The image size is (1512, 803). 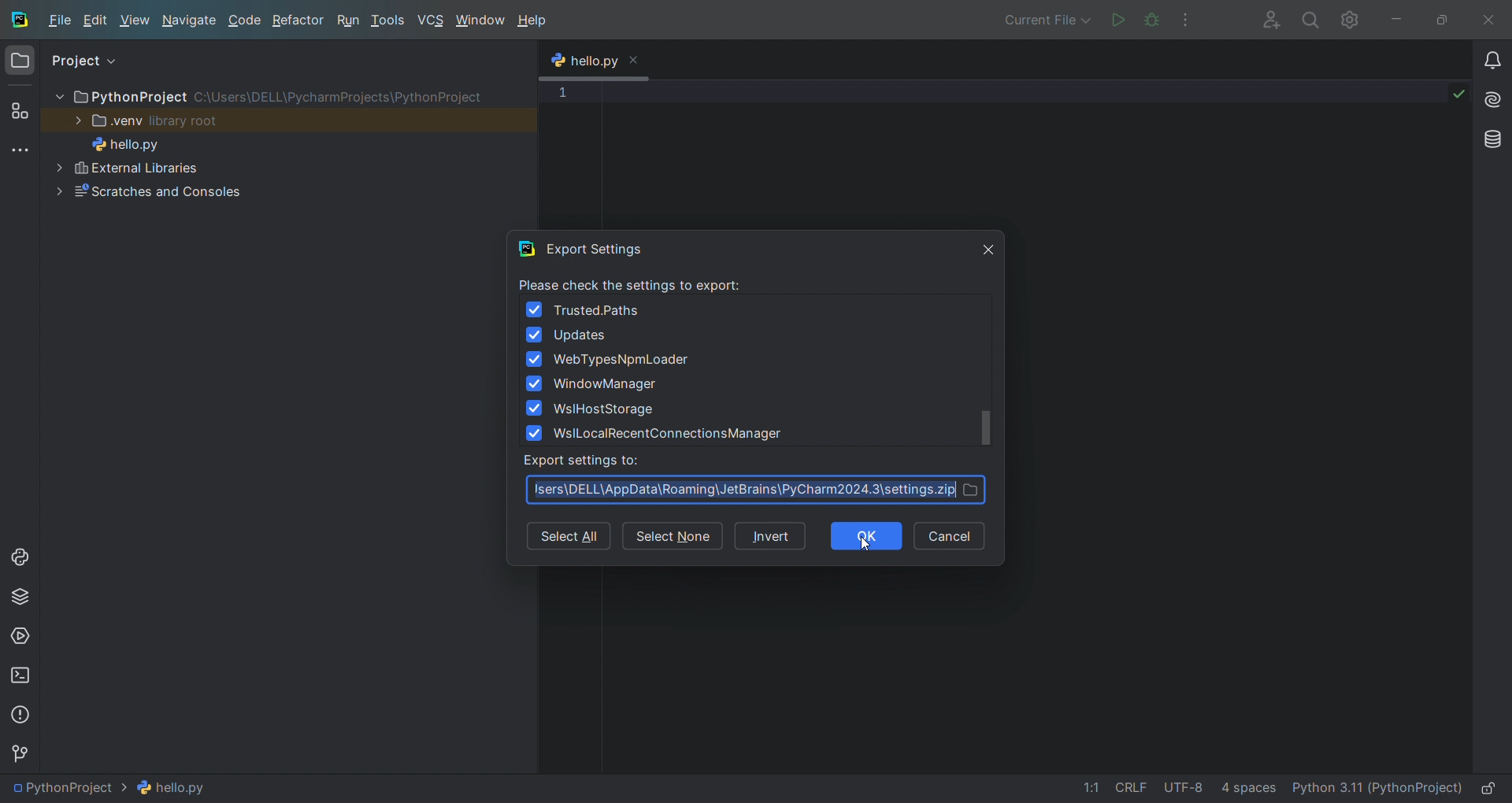 What do you see at coordinates (27, 757) in the screenshot?
I see `version control` at bounding box center [27, 757].